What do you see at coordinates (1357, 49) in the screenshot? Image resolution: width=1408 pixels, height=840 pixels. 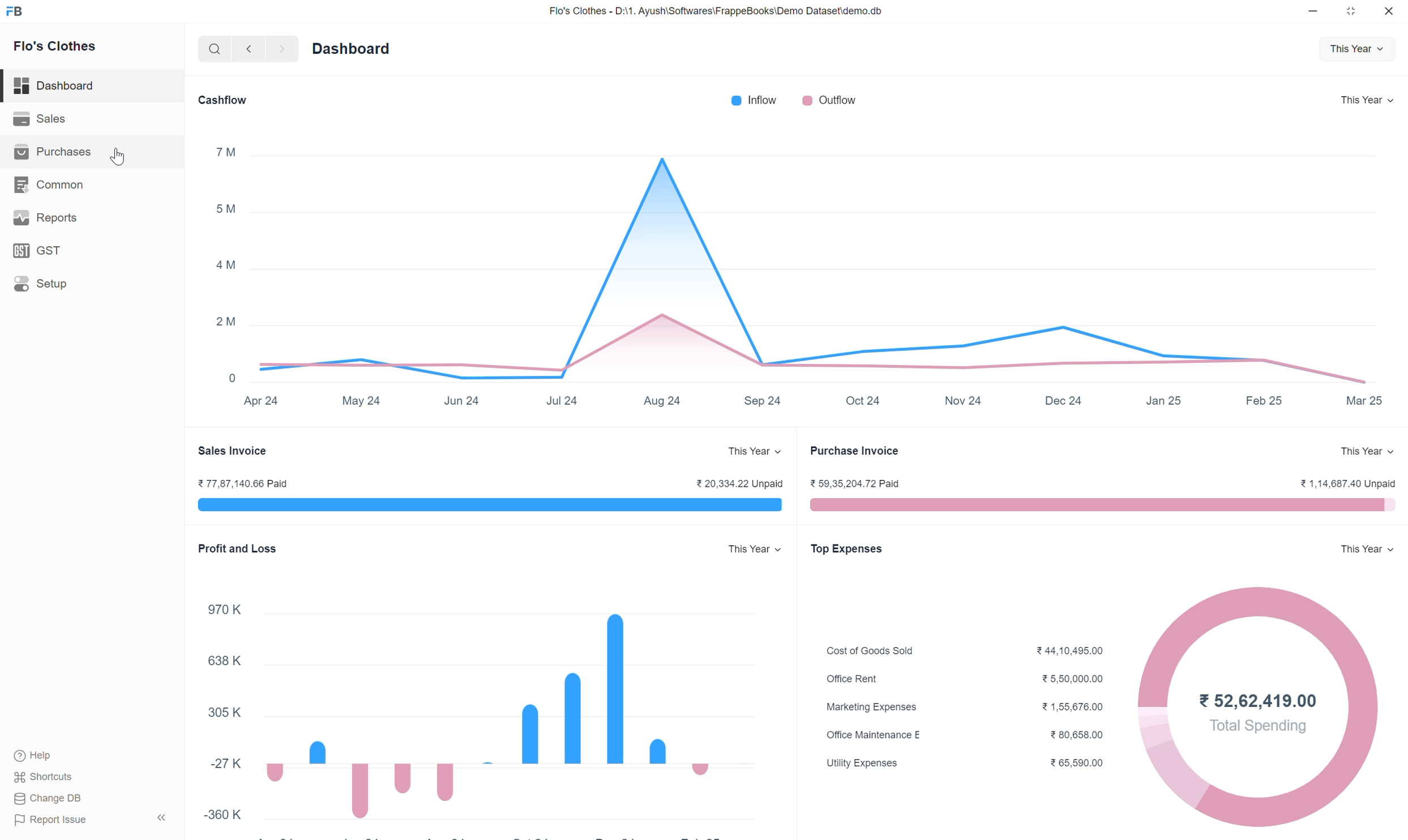 I see `This Year` at bounding box center [1357, 49].